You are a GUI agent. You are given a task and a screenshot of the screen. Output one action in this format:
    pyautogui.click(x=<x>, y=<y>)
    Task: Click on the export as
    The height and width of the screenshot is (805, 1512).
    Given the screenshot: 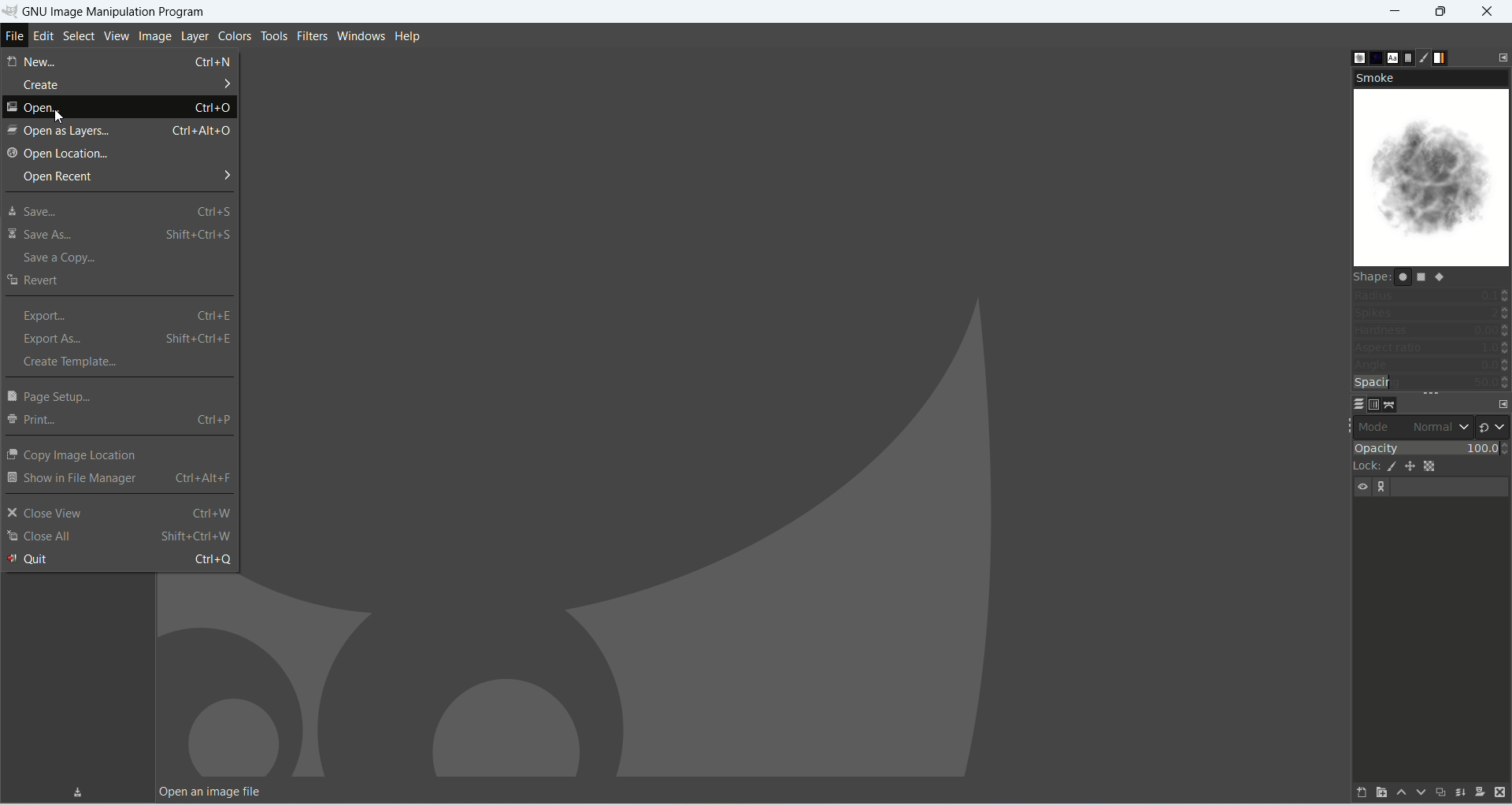 What is the action you would take?
    pyautogui.click(x=127, y=338)
    